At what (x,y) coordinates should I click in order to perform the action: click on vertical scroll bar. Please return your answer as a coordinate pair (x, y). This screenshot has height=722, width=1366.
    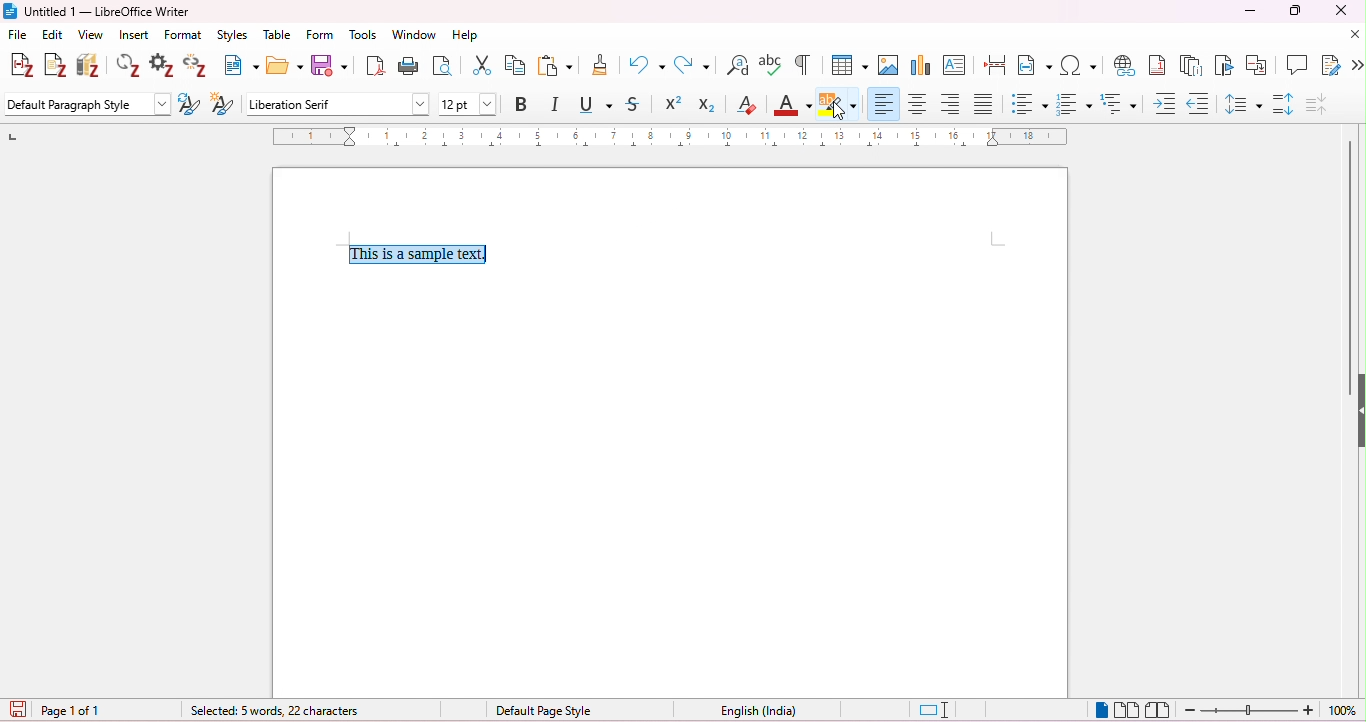
    Looking at the image, I should click on (1347, 268).